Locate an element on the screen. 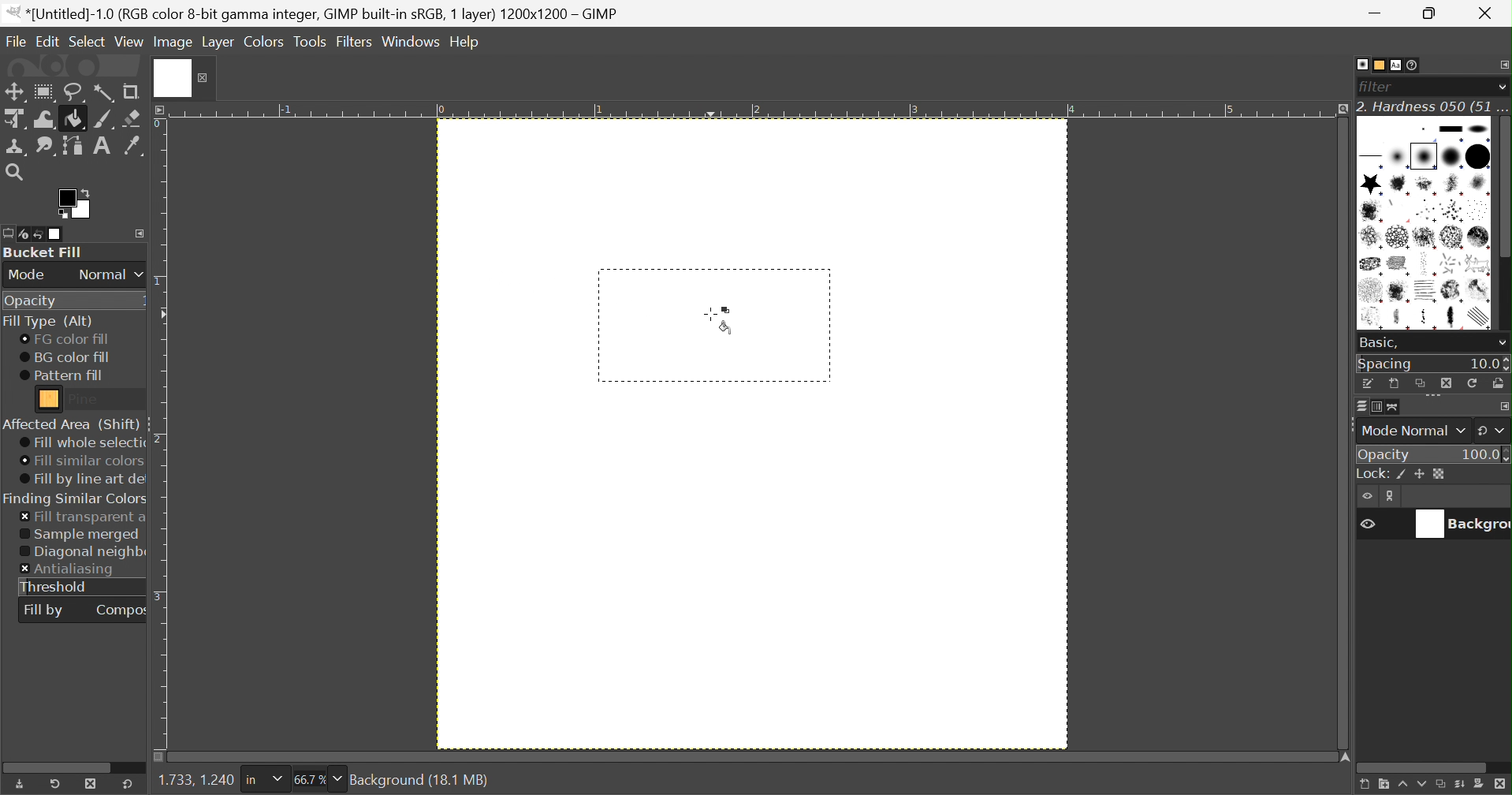 The image size is (1512, 795). Hardness 075 is located at coordinates (1477, 156).